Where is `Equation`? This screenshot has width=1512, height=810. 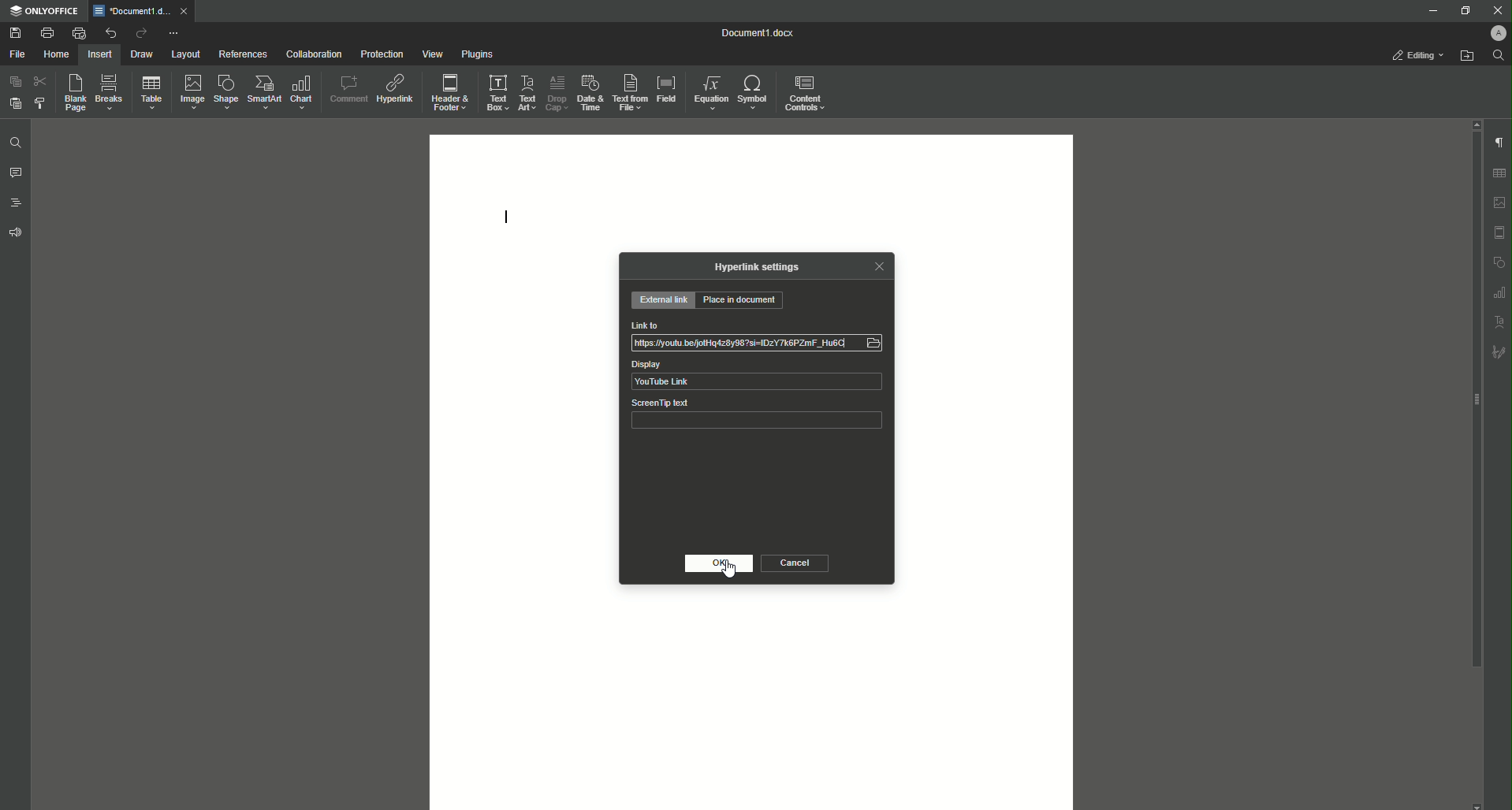
Equation is located at coordinates (711, 92).